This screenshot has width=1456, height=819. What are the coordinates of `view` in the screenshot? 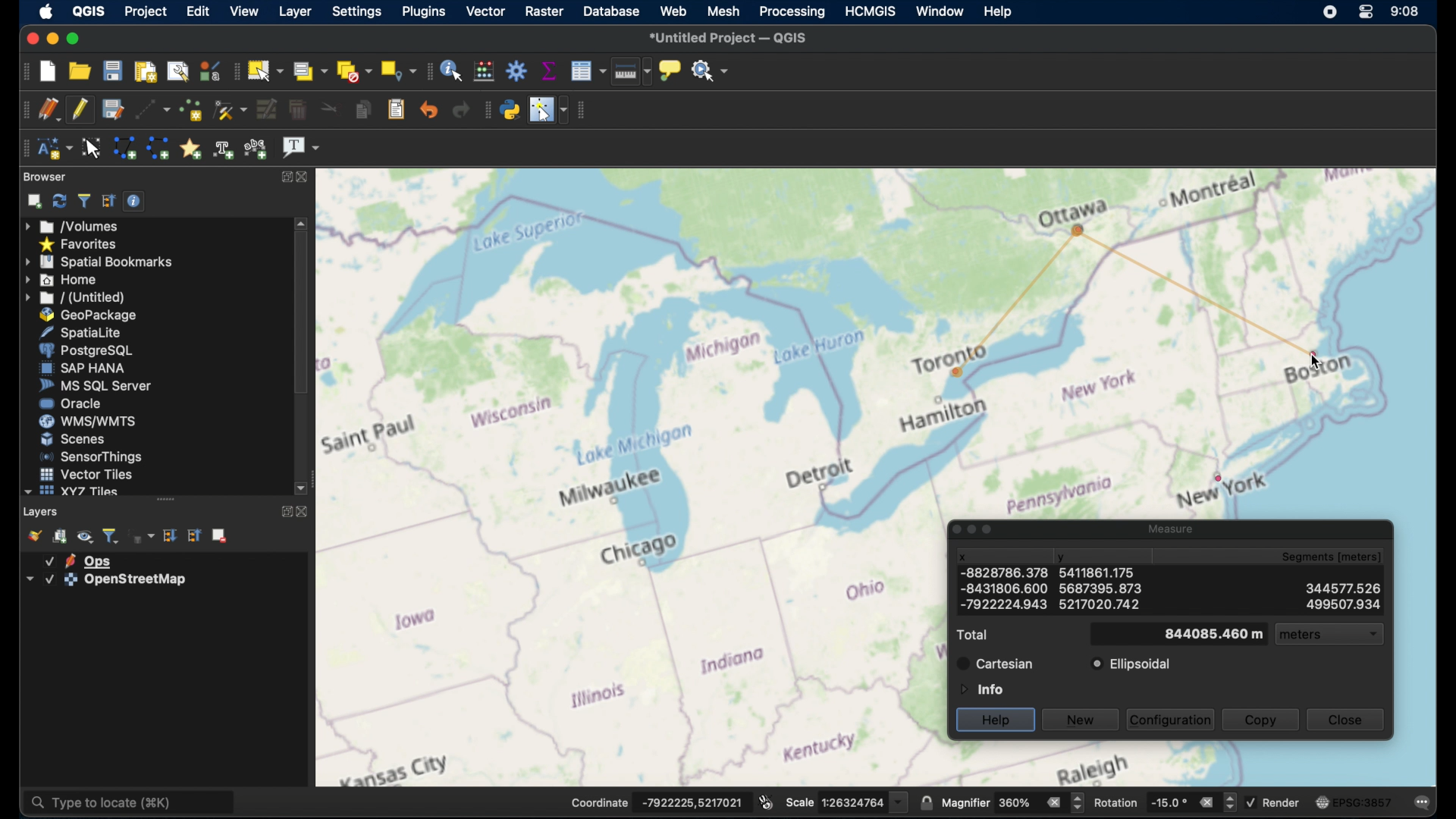 It's located at (243, 11).